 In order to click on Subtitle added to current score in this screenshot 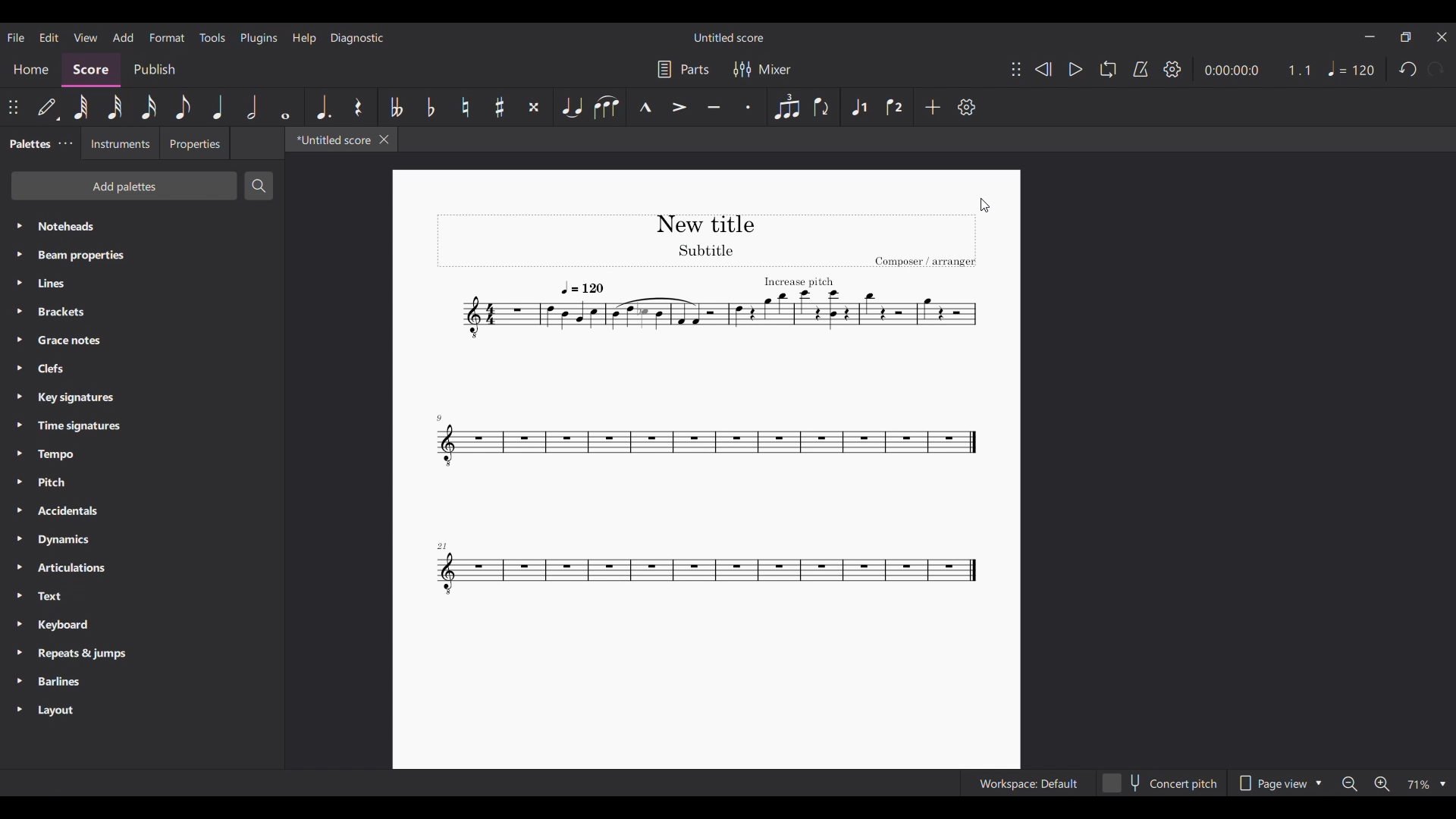, I will do `click(707, 469)`.